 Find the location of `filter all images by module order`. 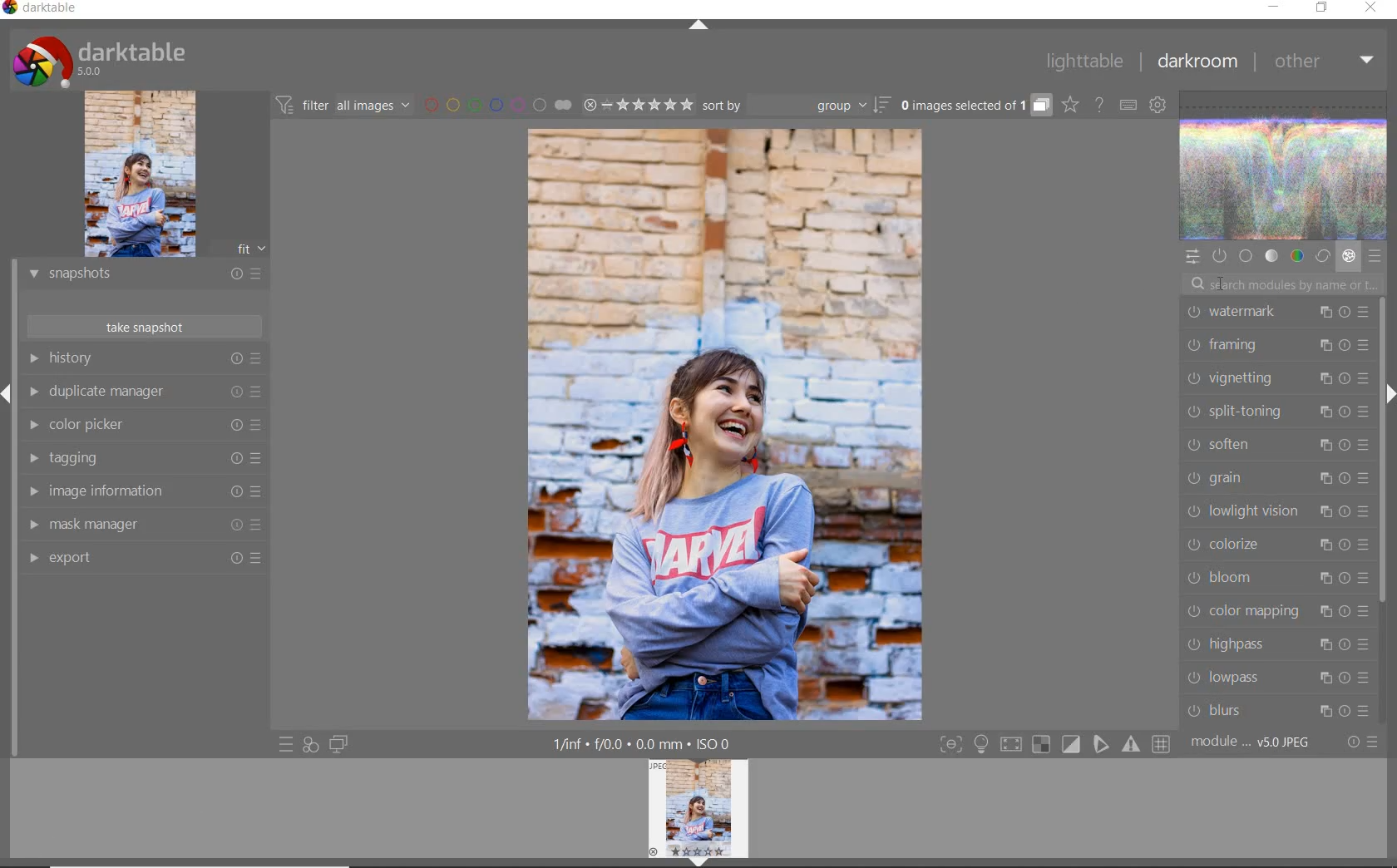

filter all images by module order is located at coordinates (344, 106).